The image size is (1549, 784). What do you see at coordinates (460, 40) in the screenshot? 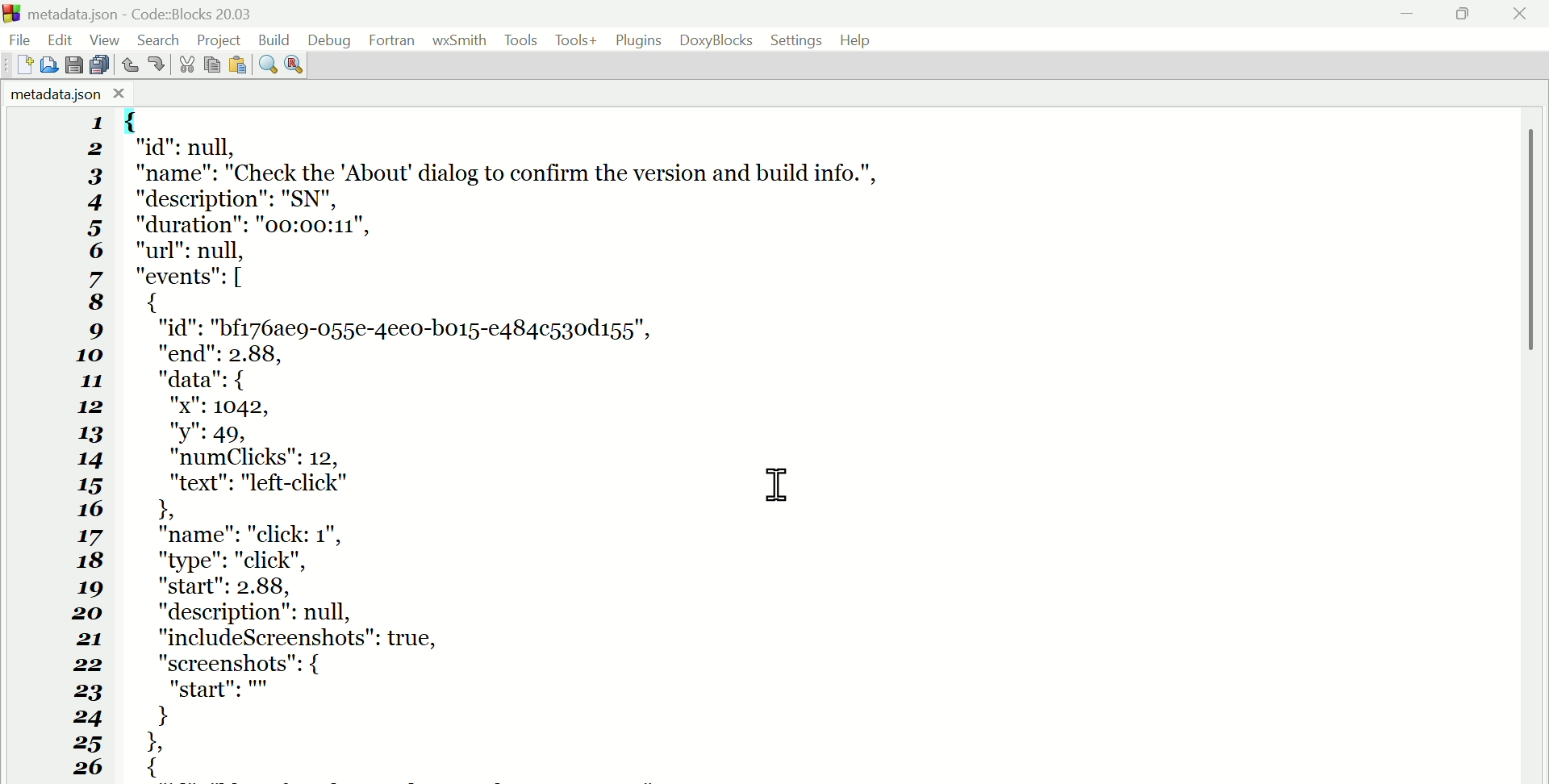
I see `WX Smith` at bounding box center [460, 40].